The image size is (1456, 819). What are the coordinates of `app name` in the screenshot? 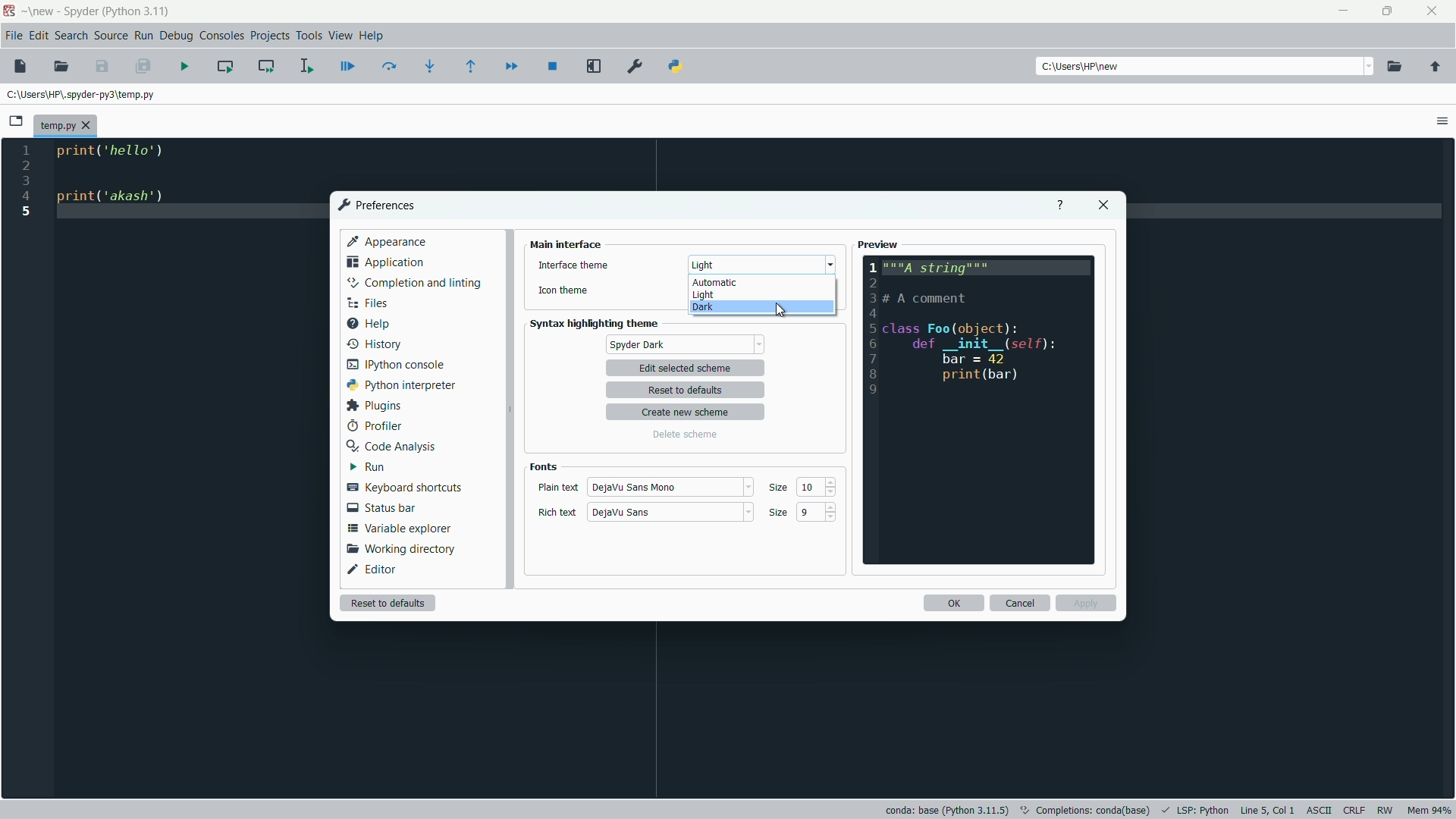 It's located at (79, 11).